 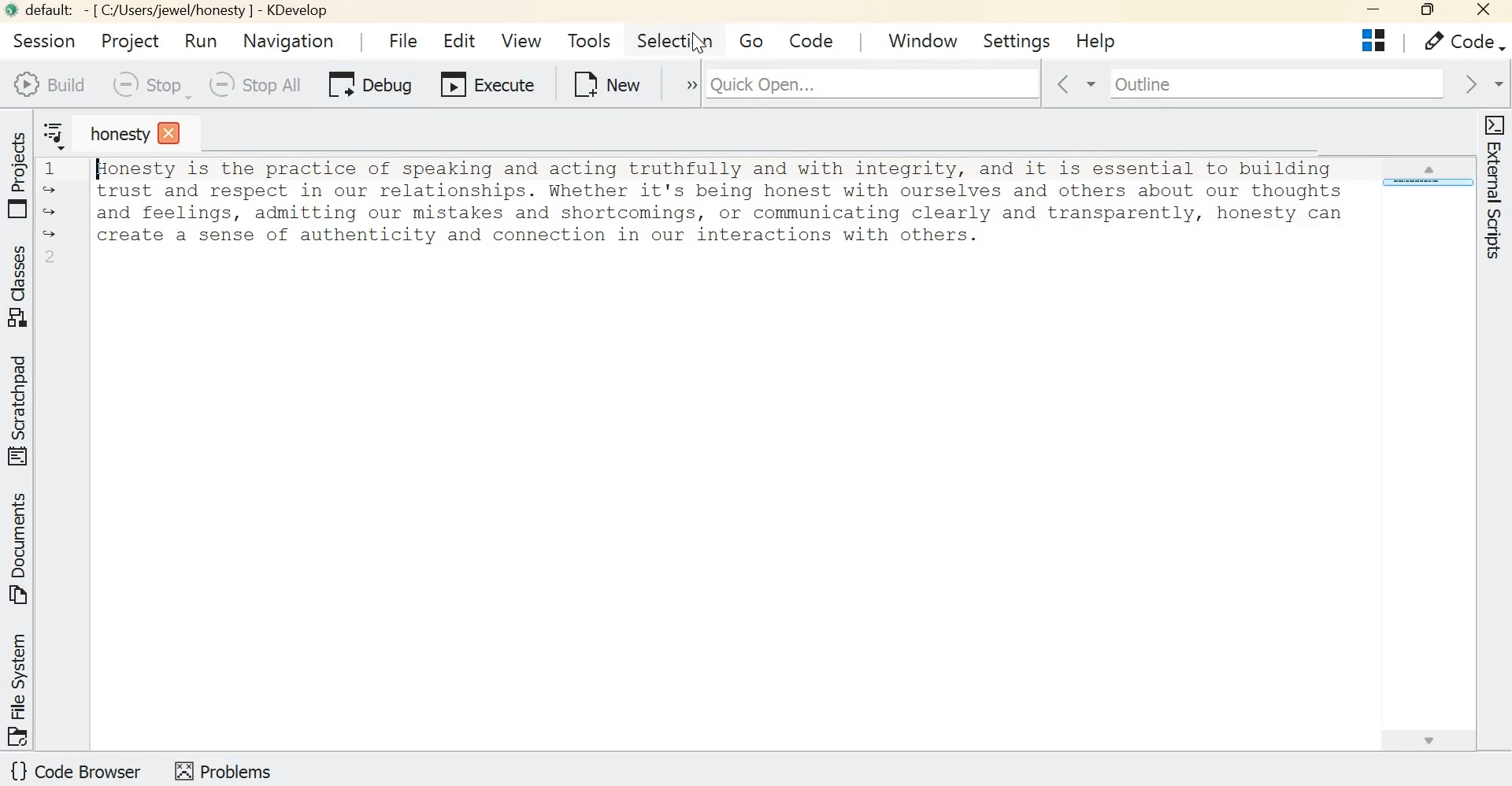 I want to click on Text - Honesty is the practice of speaking and acting truthfully and with integrity, and it is essential to building trust and respect in our relationships. Whether it's being honest with ourselves and others about our thoughts and feelings, adnitting our mistakes and shortcomings, or communicating clearly and transparently, honesty can create a sense of authenticity and connection in our interactions with others., so click(x=720, y=217).